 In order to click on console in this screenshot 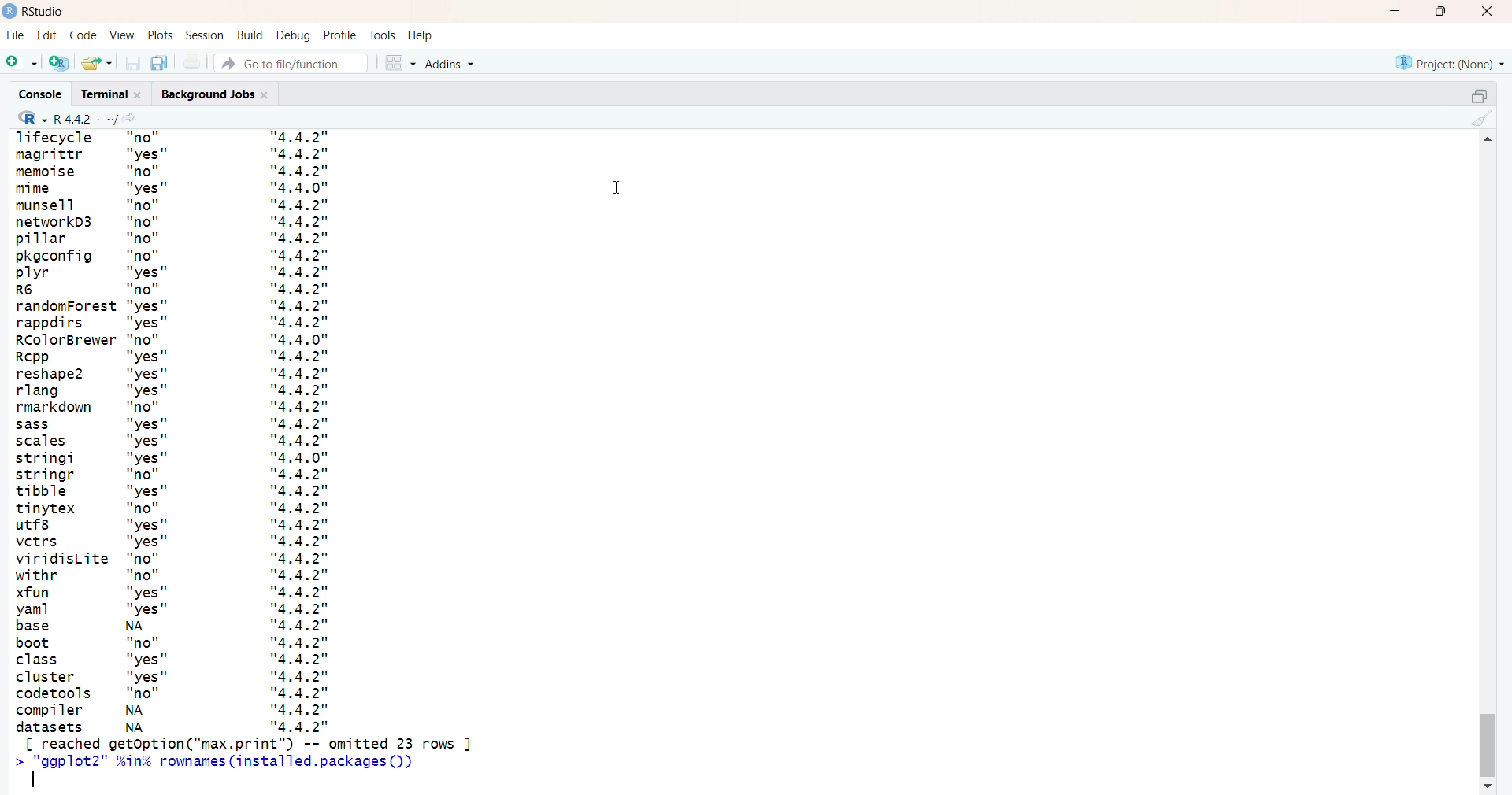, I will do `click(39, 96)`.